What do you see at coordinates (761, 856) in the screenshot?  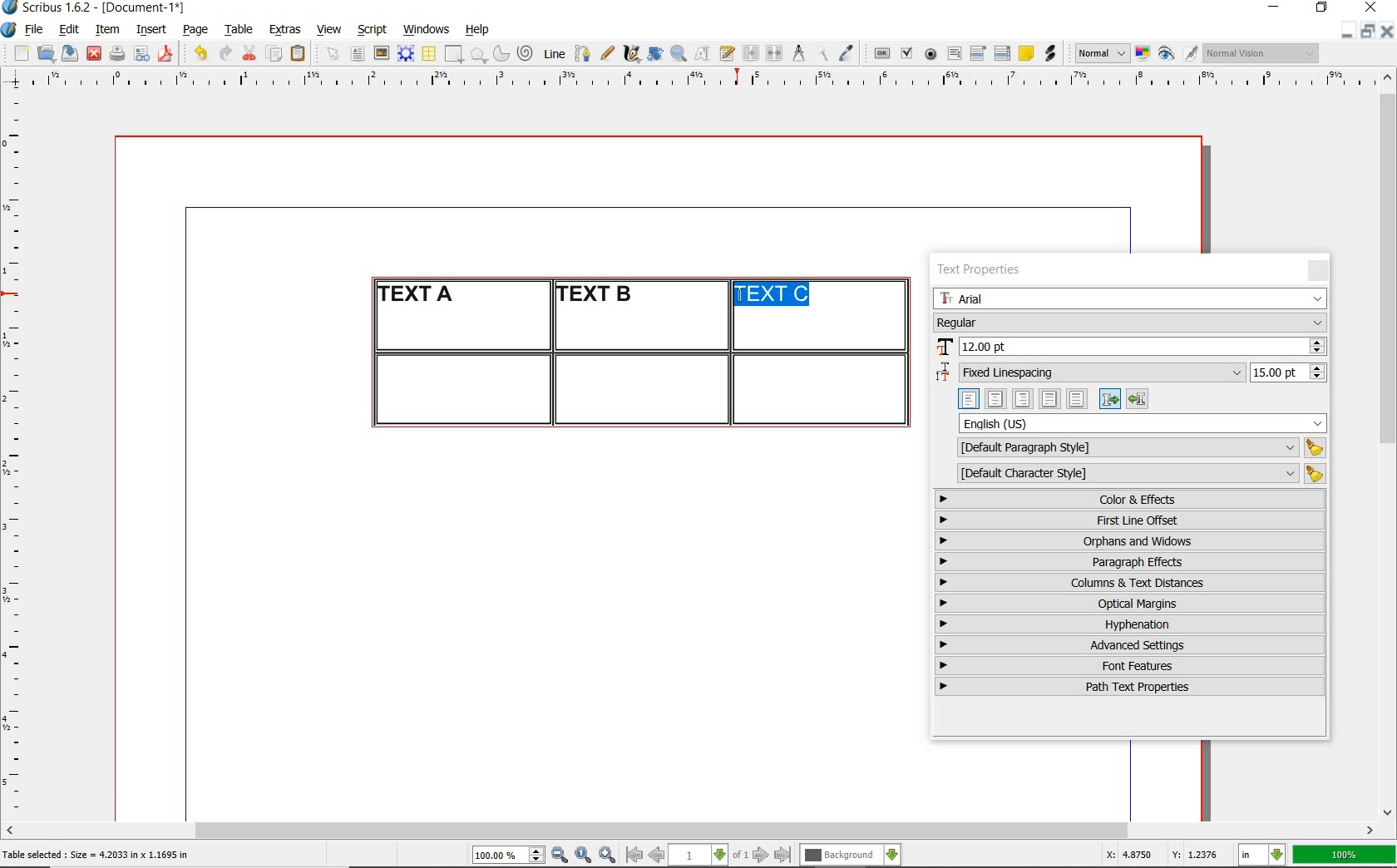 I see `go to next page` at bounding box center [761, 856].